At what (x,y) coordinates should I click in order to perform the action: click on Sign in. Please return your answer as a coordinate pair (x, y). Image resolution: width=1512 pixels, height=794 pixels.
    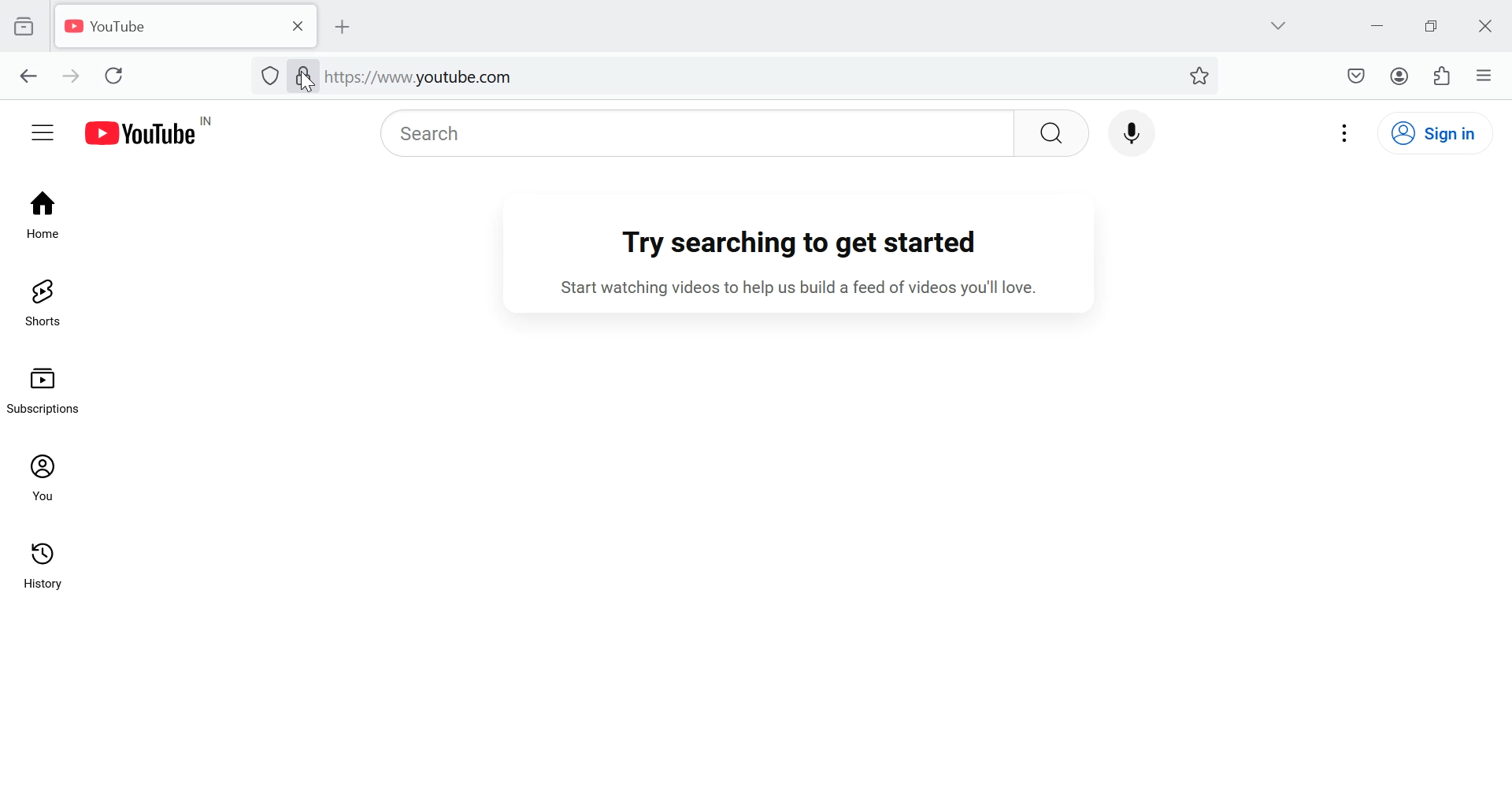
    Looking at the image, I should click on (1444, 132).